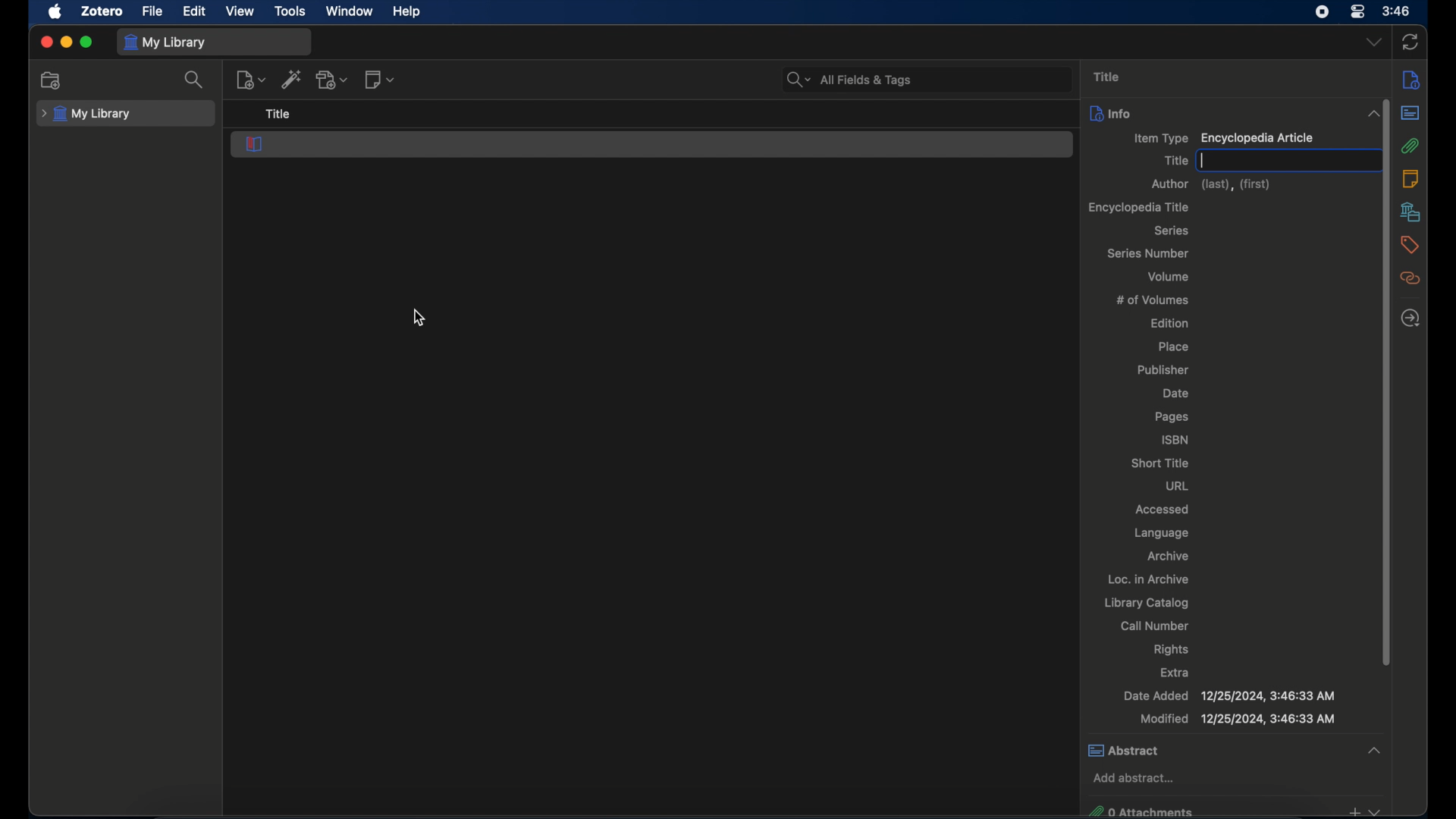 The height and width of the screenshot is (819, 1456). What do you see at coordinates (1238, 719) in the screenshot?
I see `modified` at bounding box center [1238, 719].